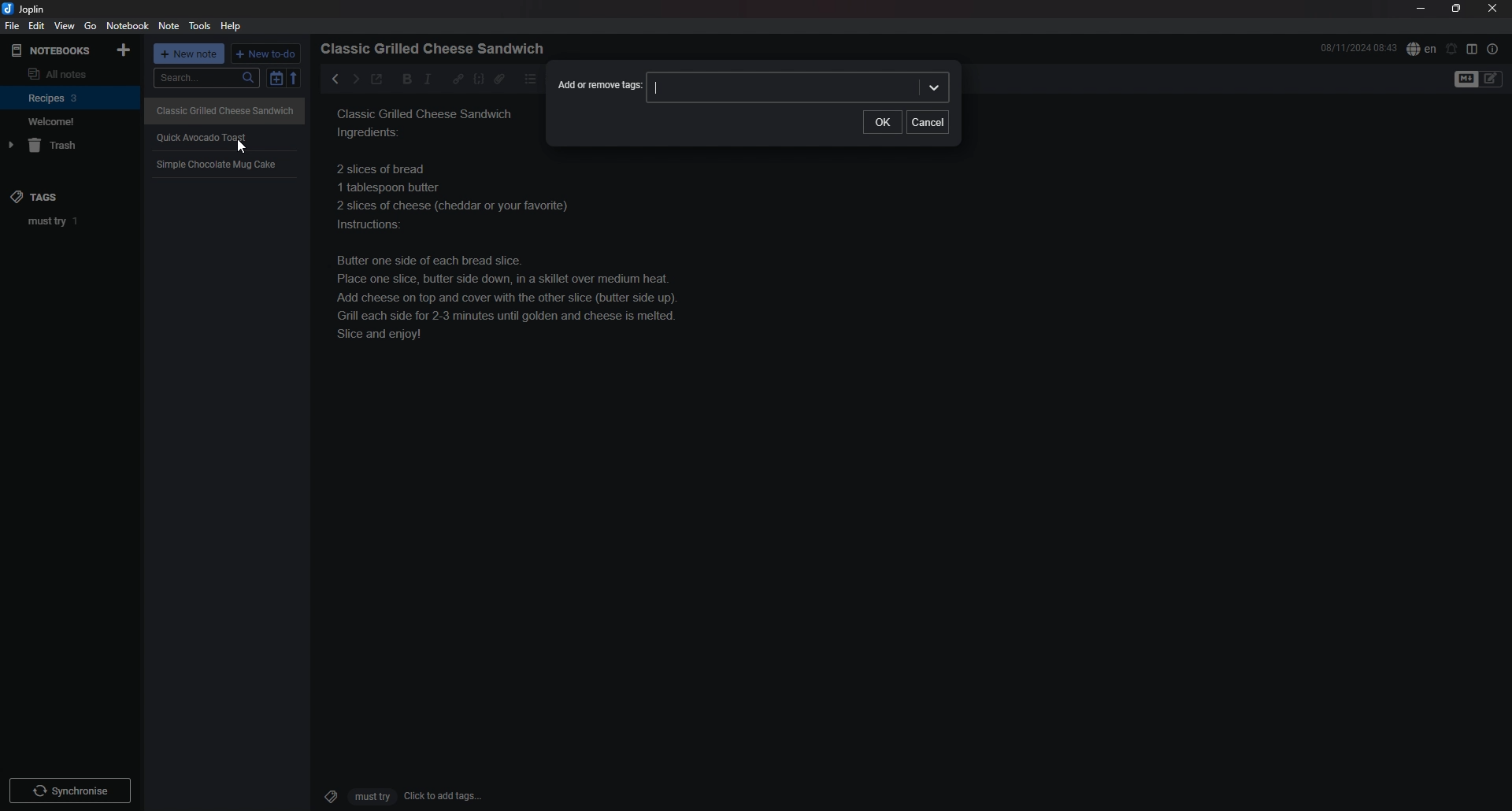 The height and width of the screenshot is (811, 1512). I want to click on resize, so click(1456, 9).